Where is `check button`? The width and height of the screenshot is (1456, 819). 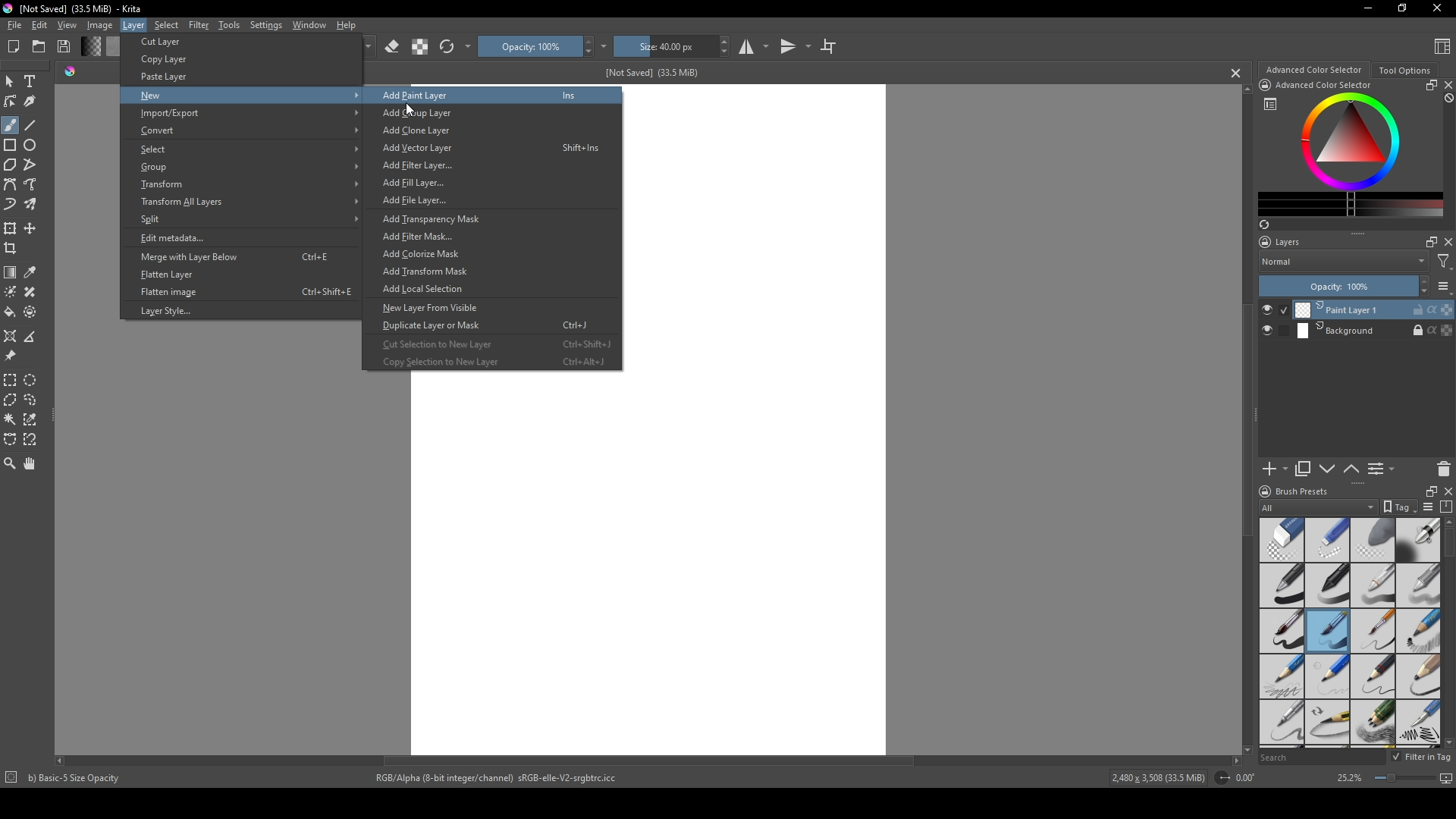
check button is located at coordinates (1274, 309).